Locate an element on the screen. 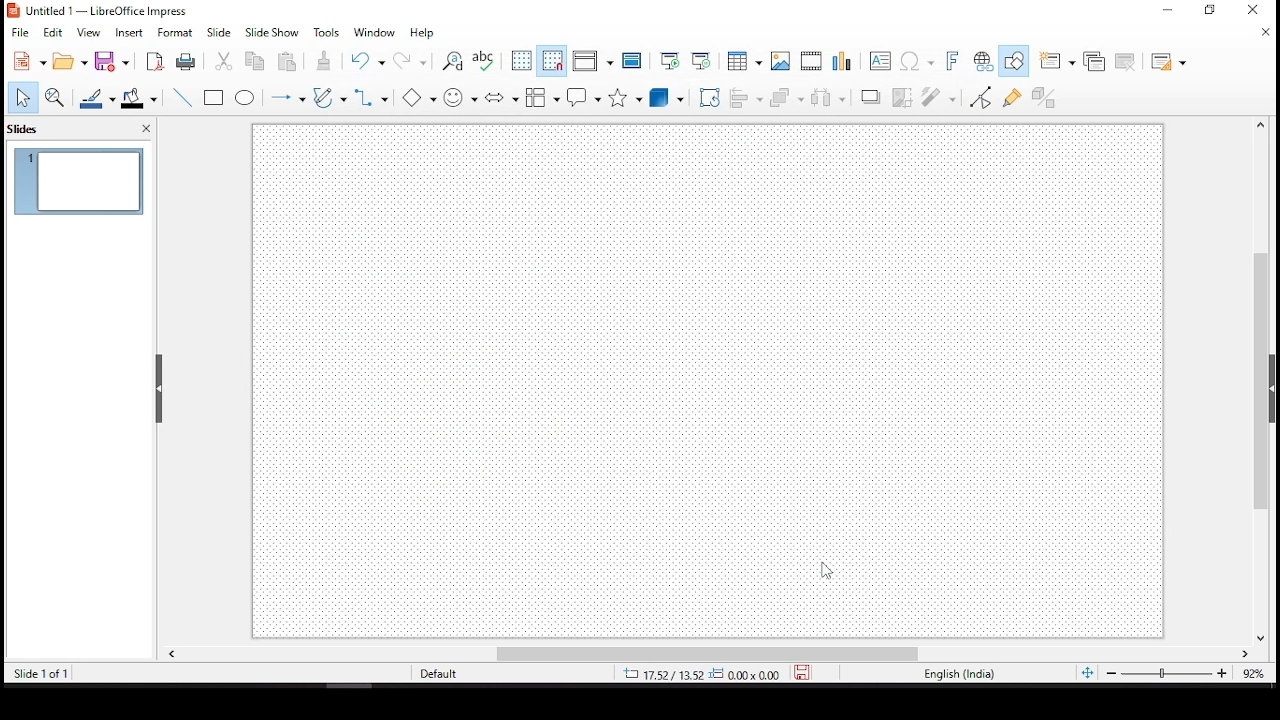  format is located at coordinates (175, 33).